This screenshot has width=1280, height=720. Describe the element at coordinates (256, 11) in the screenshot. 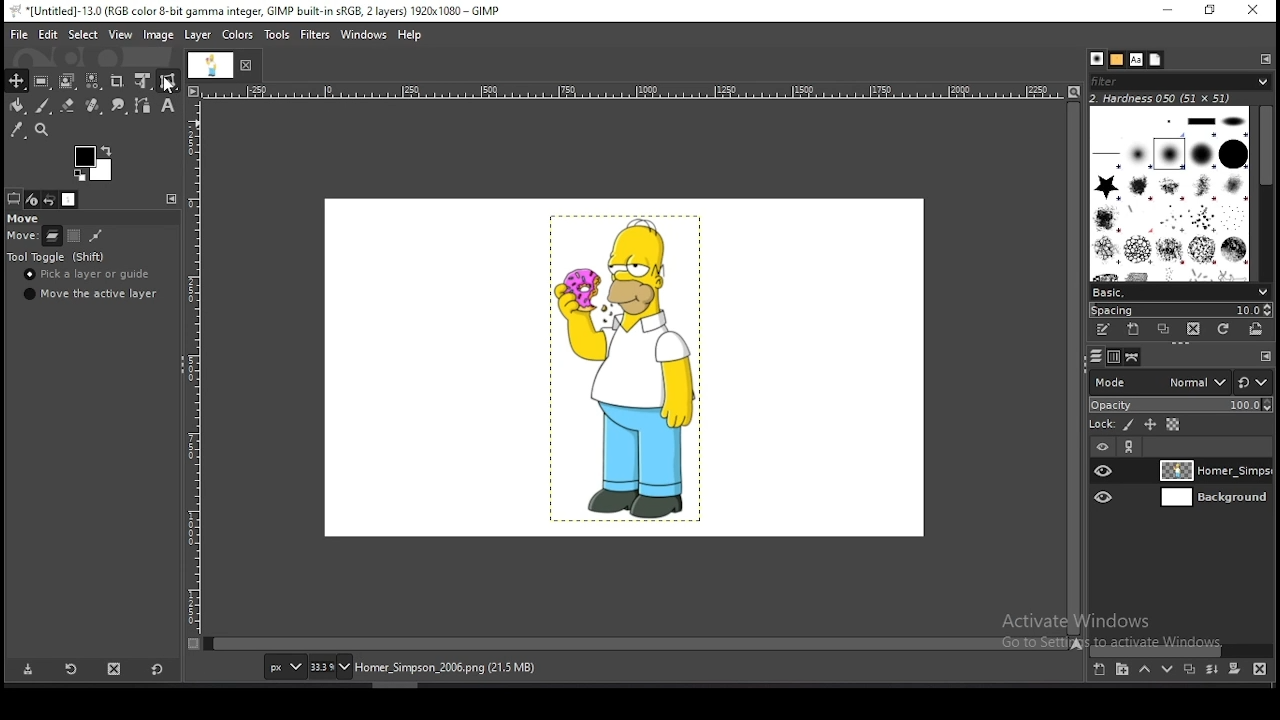

I see `*[untitled]-13.0 (rgb color 8-bit gamma integer, gimp built-in sRGB, 2 layers) 1920x1080 - gimp` at that location.